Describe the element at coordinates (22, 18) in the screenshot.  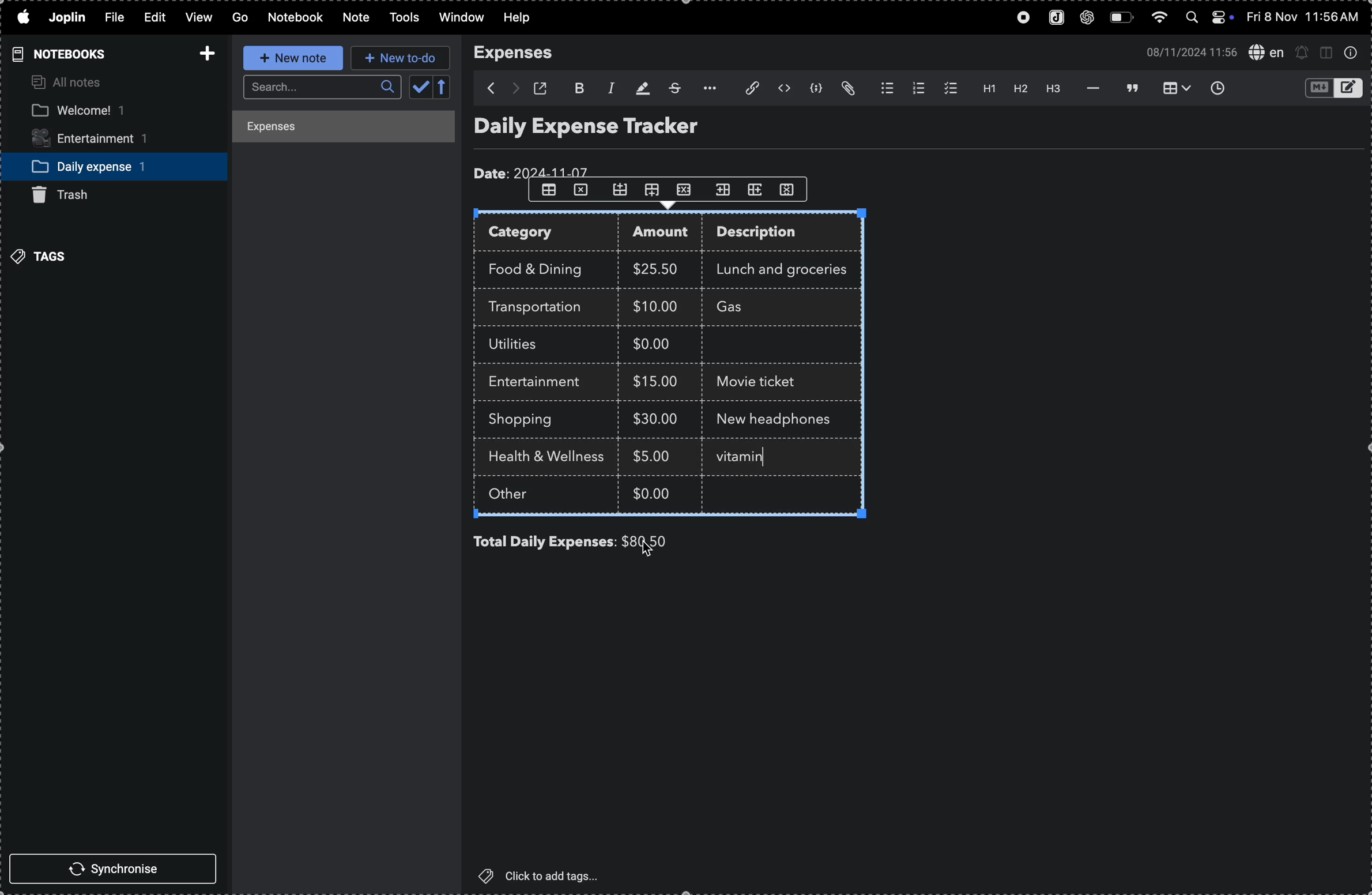
I see `apple menu` at that location.